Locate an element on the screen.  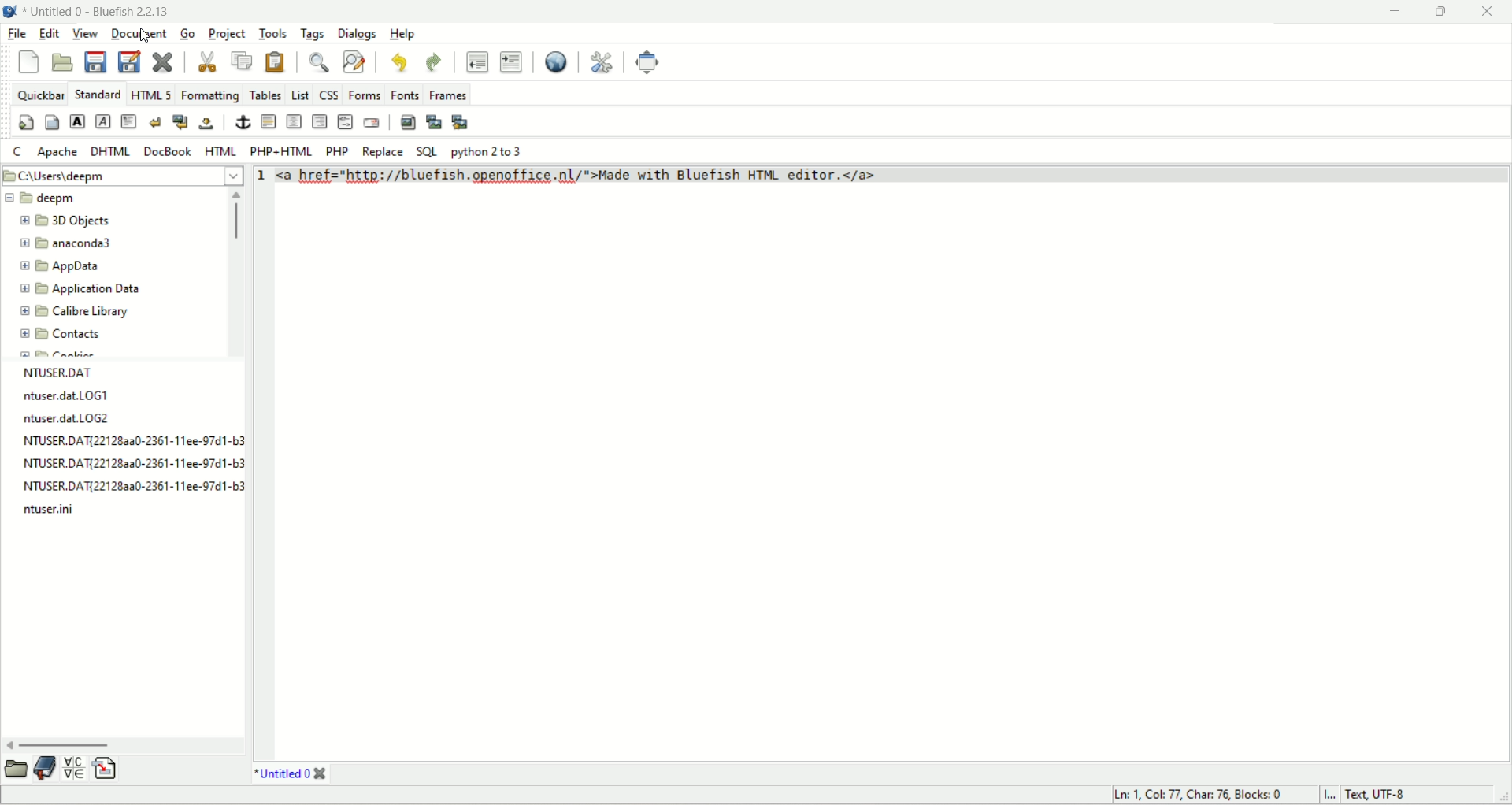
open is located at coordinates (17, 767).